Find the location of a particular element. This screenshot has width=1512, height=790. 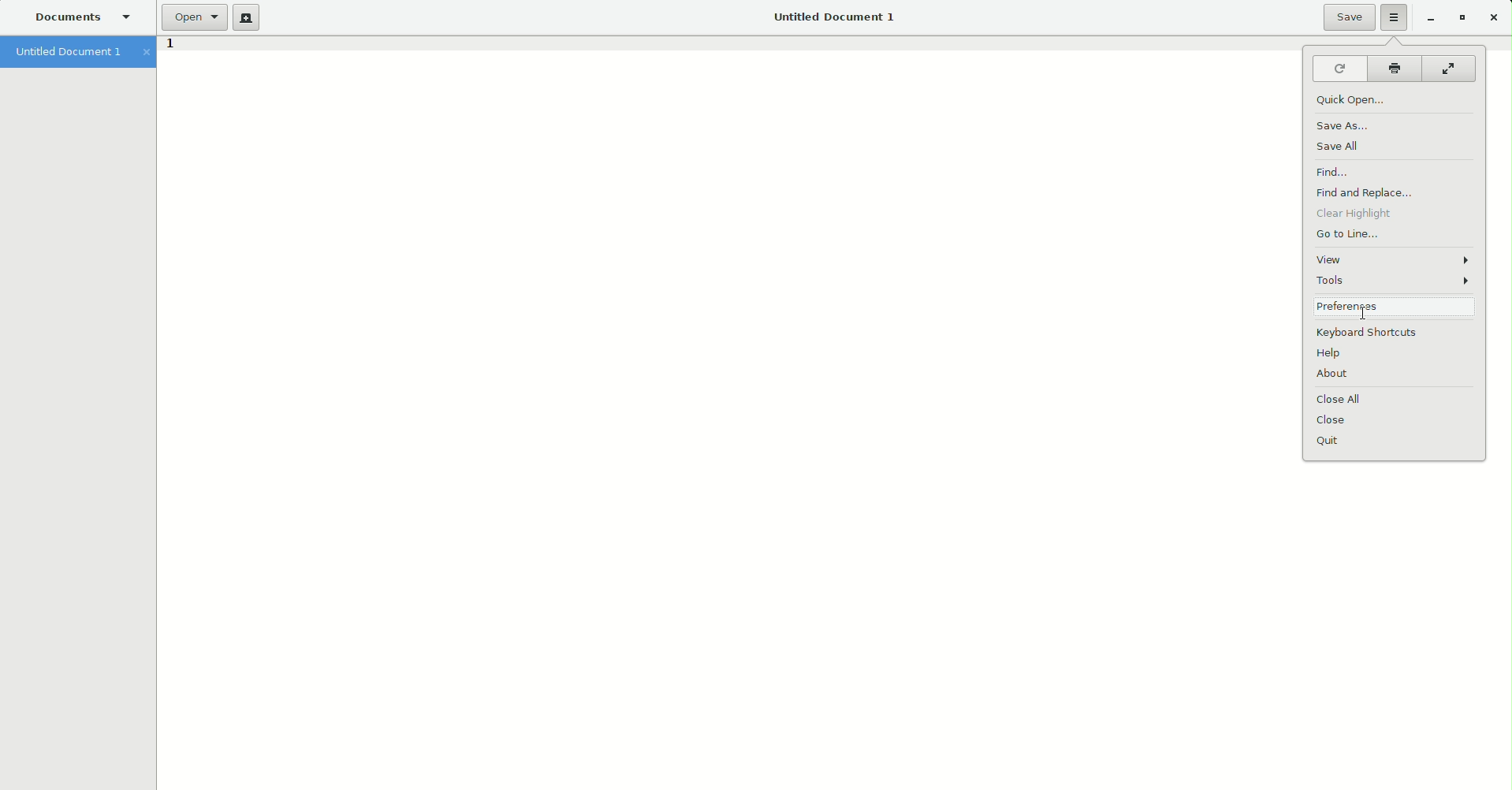

Open is located at coordinates (193, 17).